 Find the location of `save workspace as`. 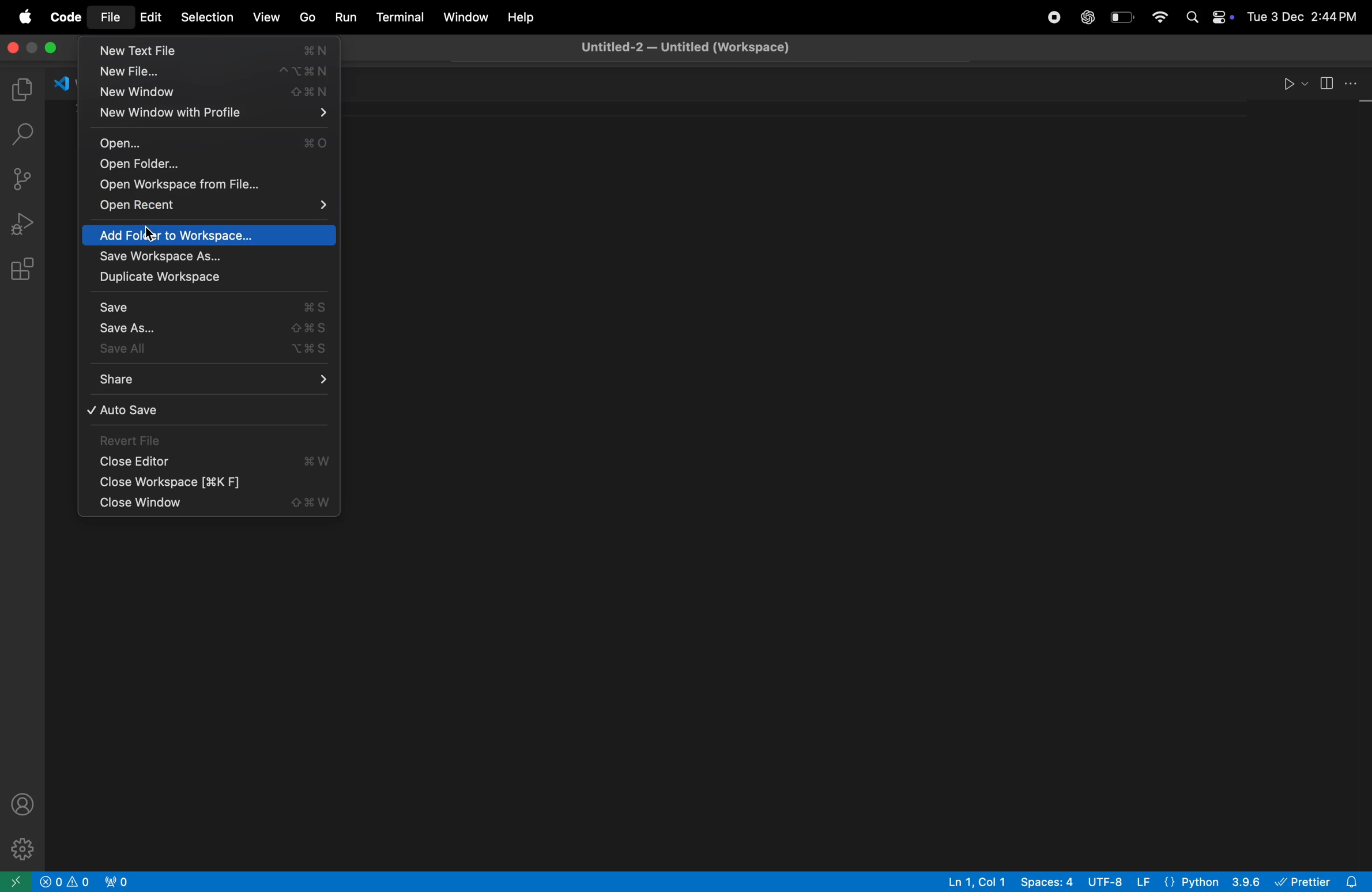

save workspace as is located at coordinates (206, 258).